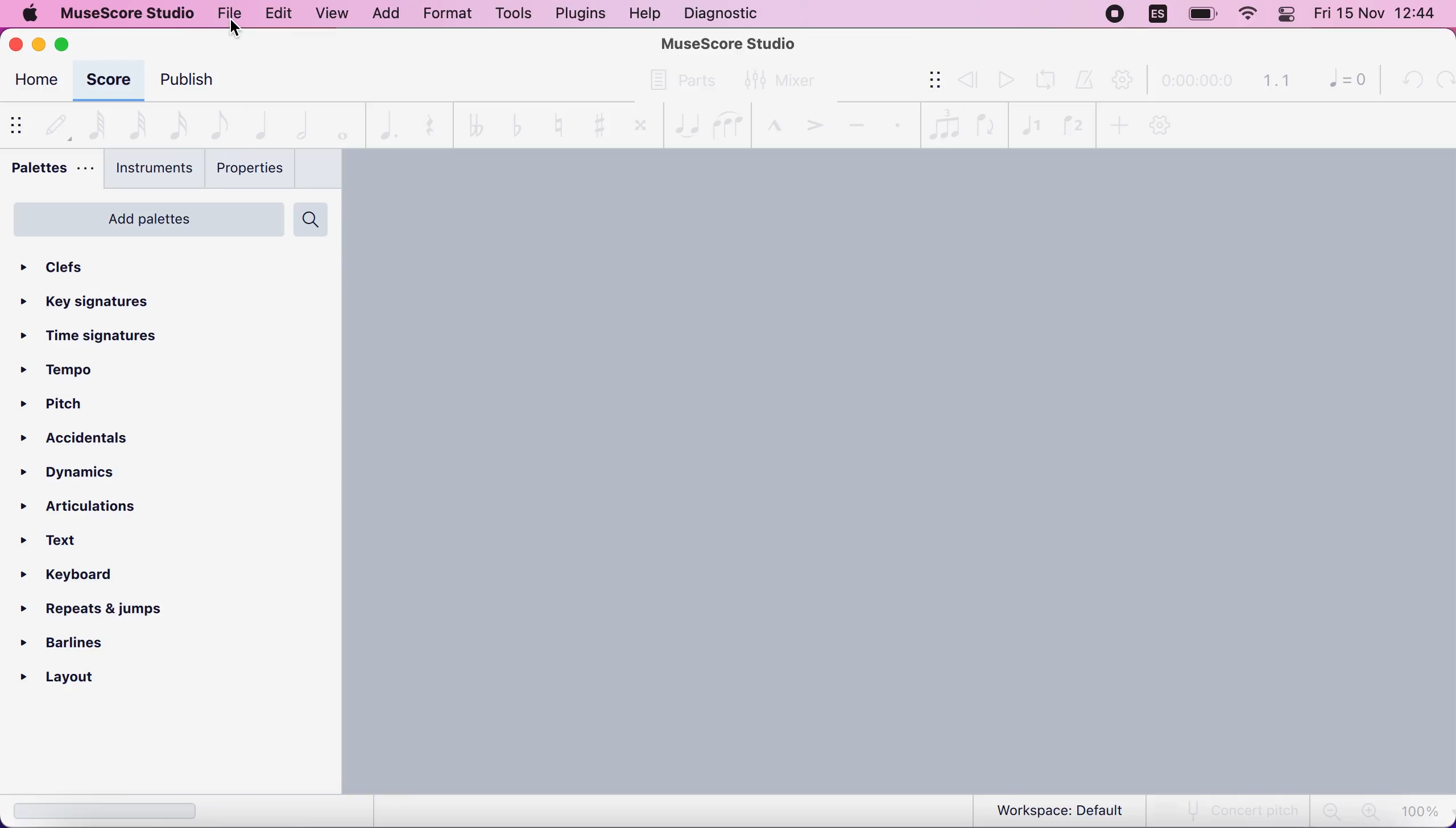  Describe the element at coordinates (51, 171) in the screenshot. I see `palettes` at that location.